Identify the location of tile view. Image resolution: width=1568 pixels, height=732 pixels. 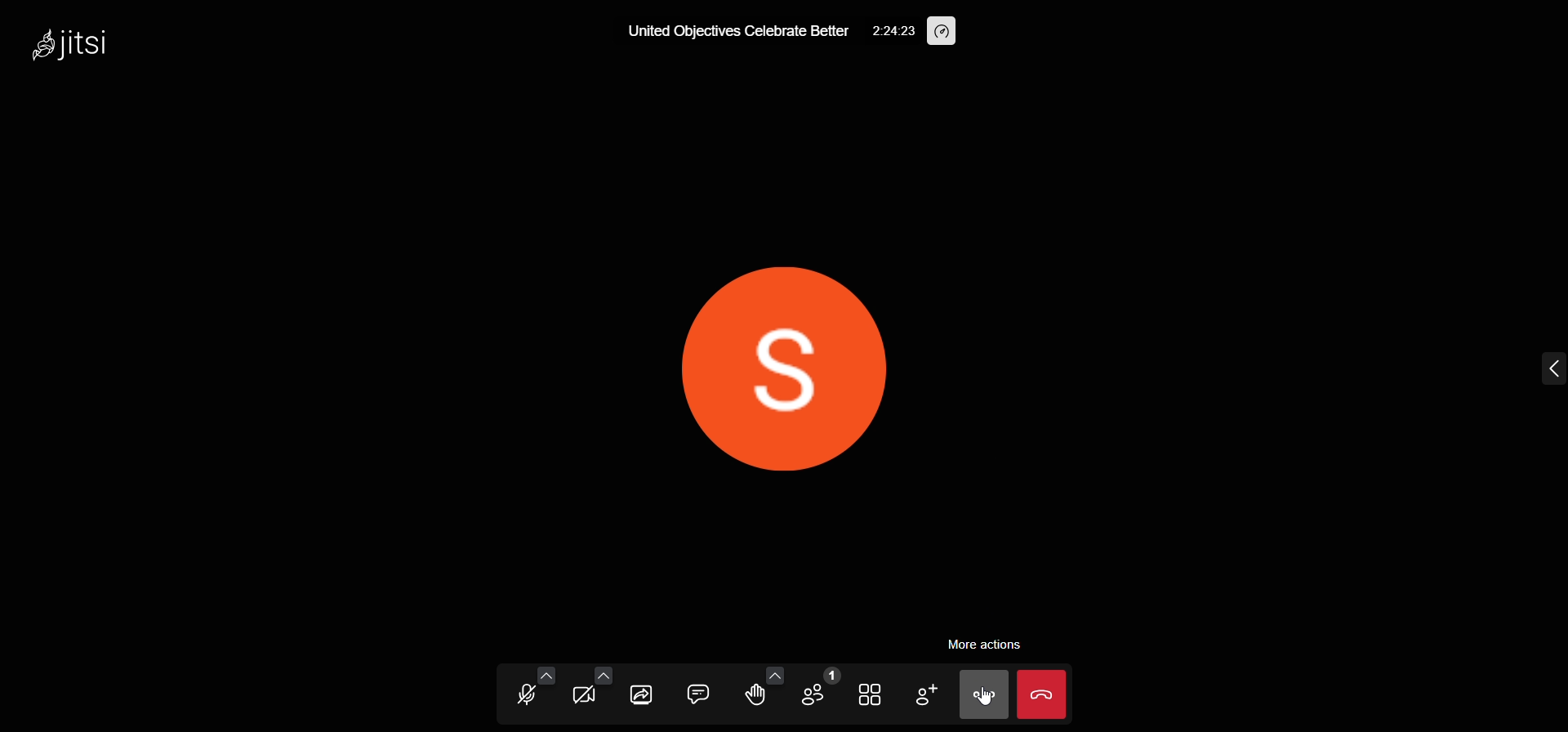
(868, 695).